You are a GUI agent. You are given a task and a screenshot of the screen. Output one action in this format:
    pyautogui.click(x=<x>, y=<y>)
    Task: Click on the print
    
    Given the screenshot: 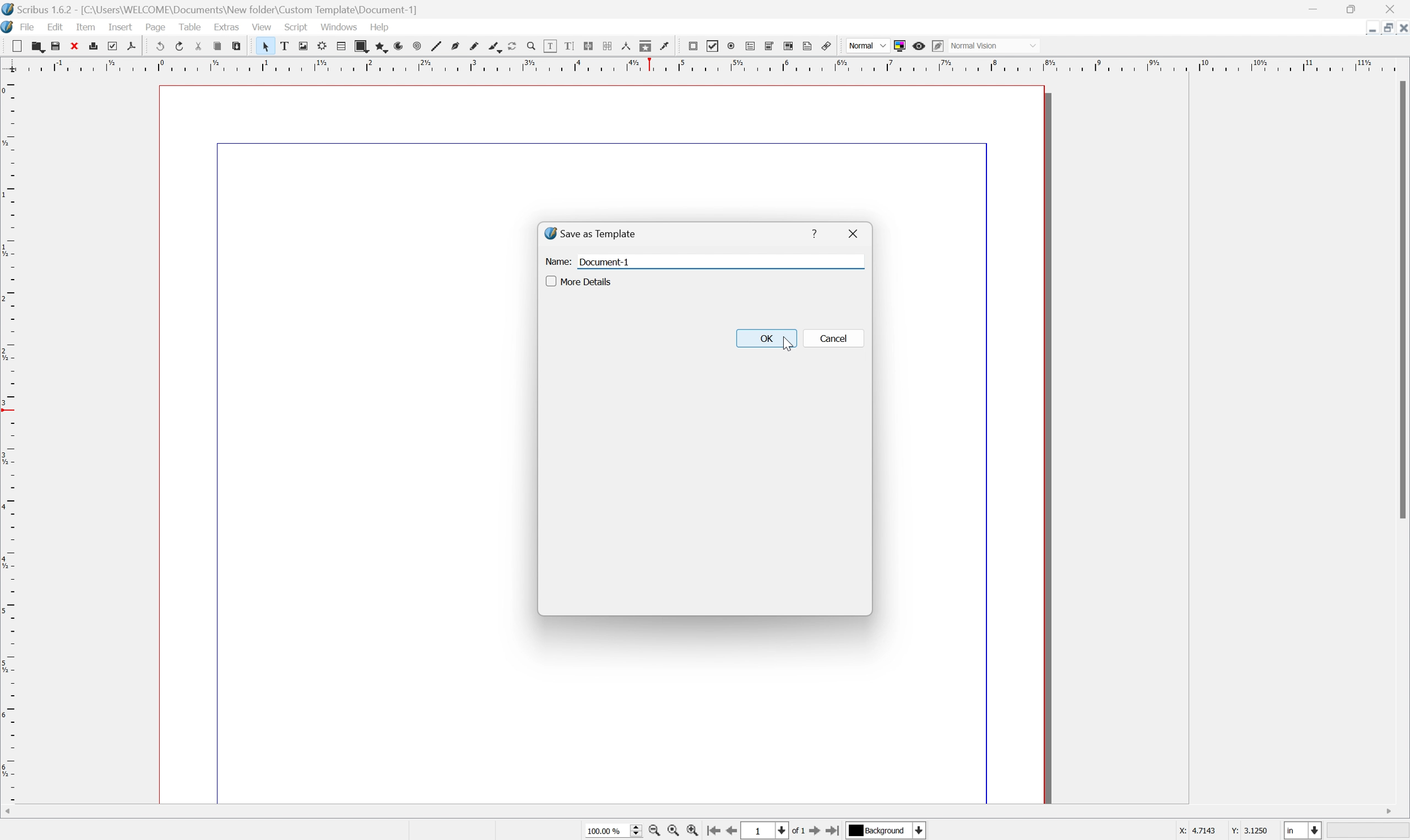 What is the action you would take?
    pyautogui.click(x=93, y=47)
    